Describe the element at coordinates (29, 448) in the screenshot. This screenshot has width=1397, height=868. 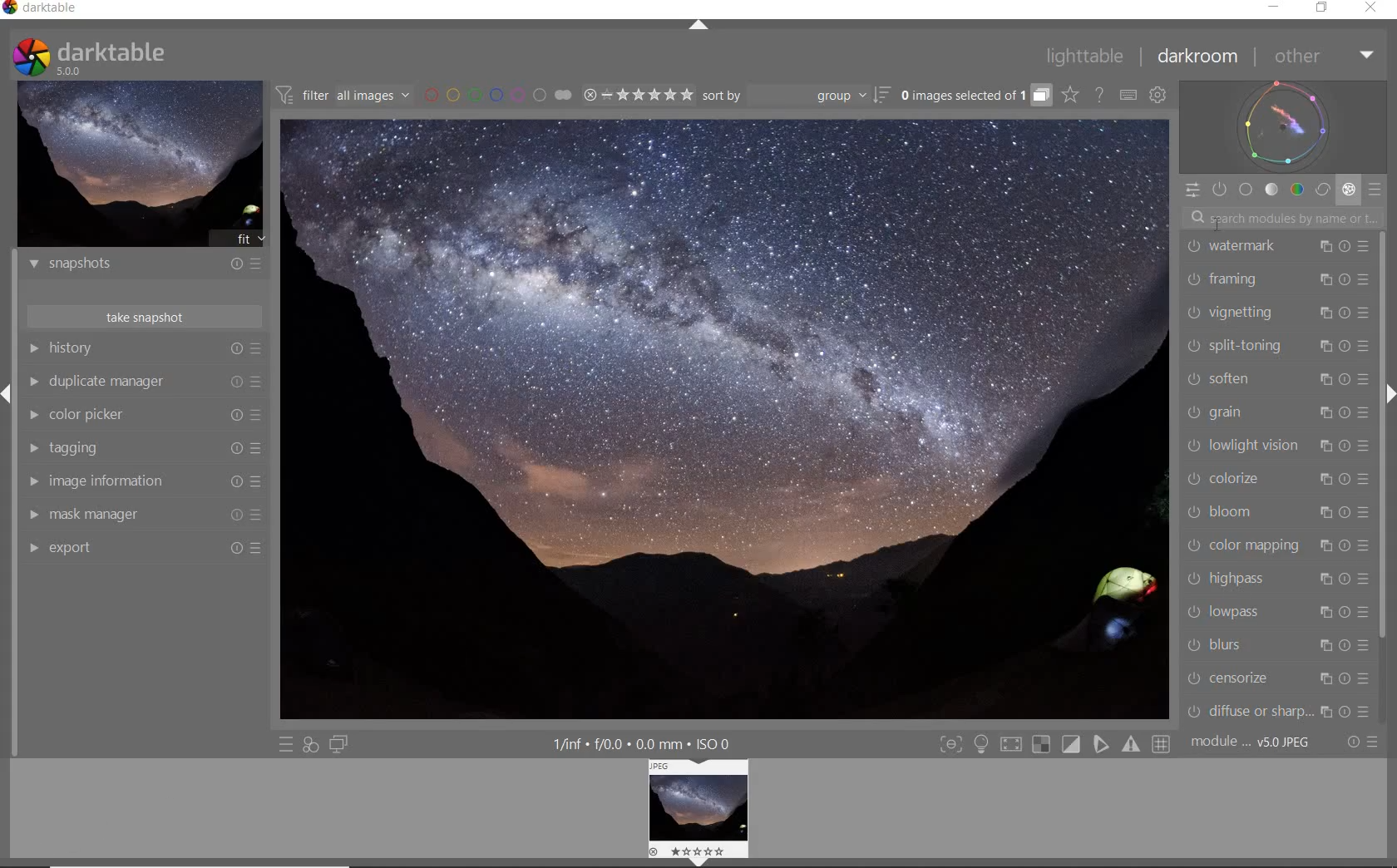
I see `TAGGING` at that location.